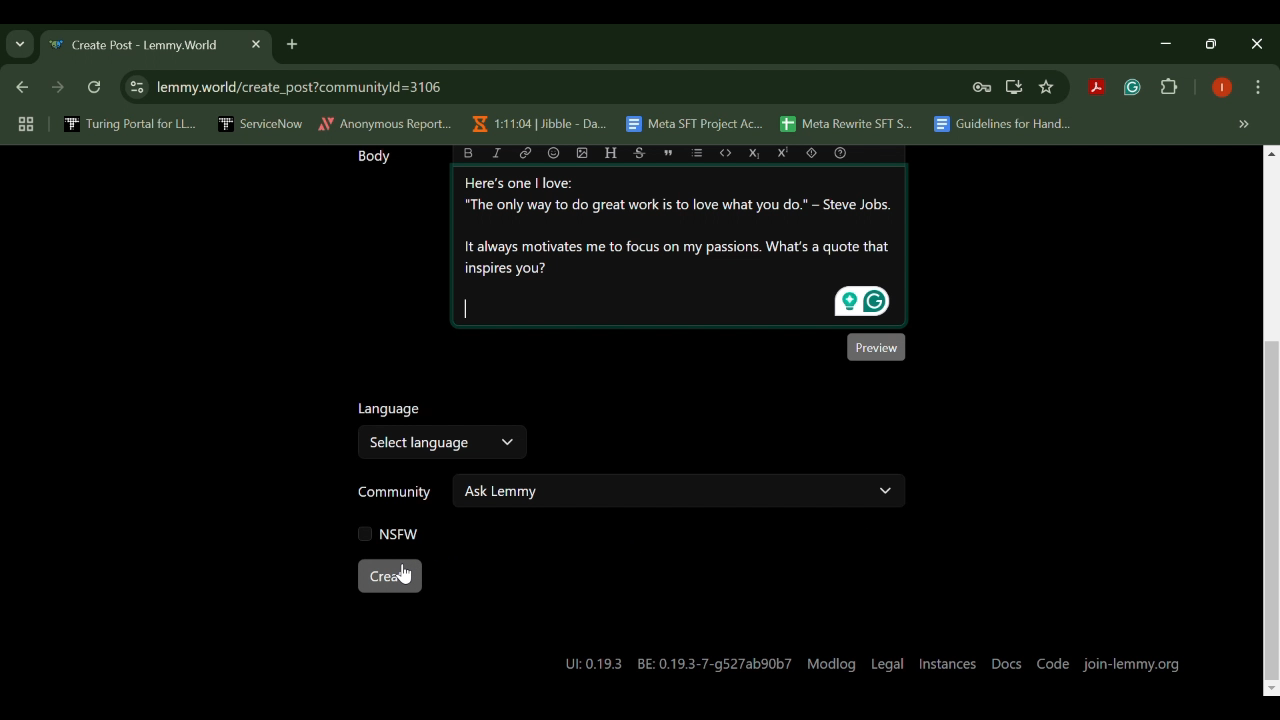  I want to click on Hidden bookmarks, so click(1246, 125).